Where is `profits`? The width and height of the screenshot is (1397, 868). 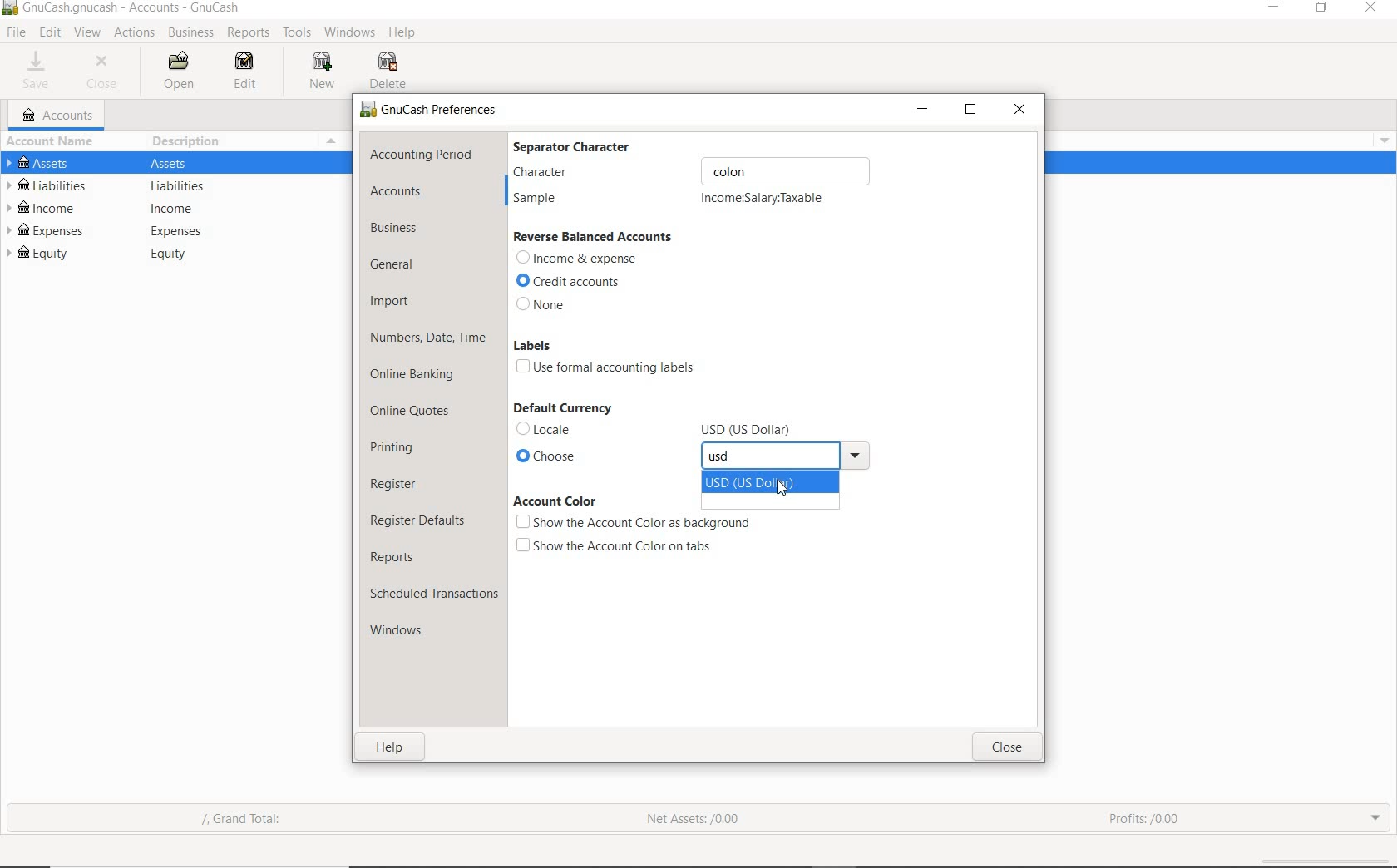
profits is located at coordinates (1146, 814).